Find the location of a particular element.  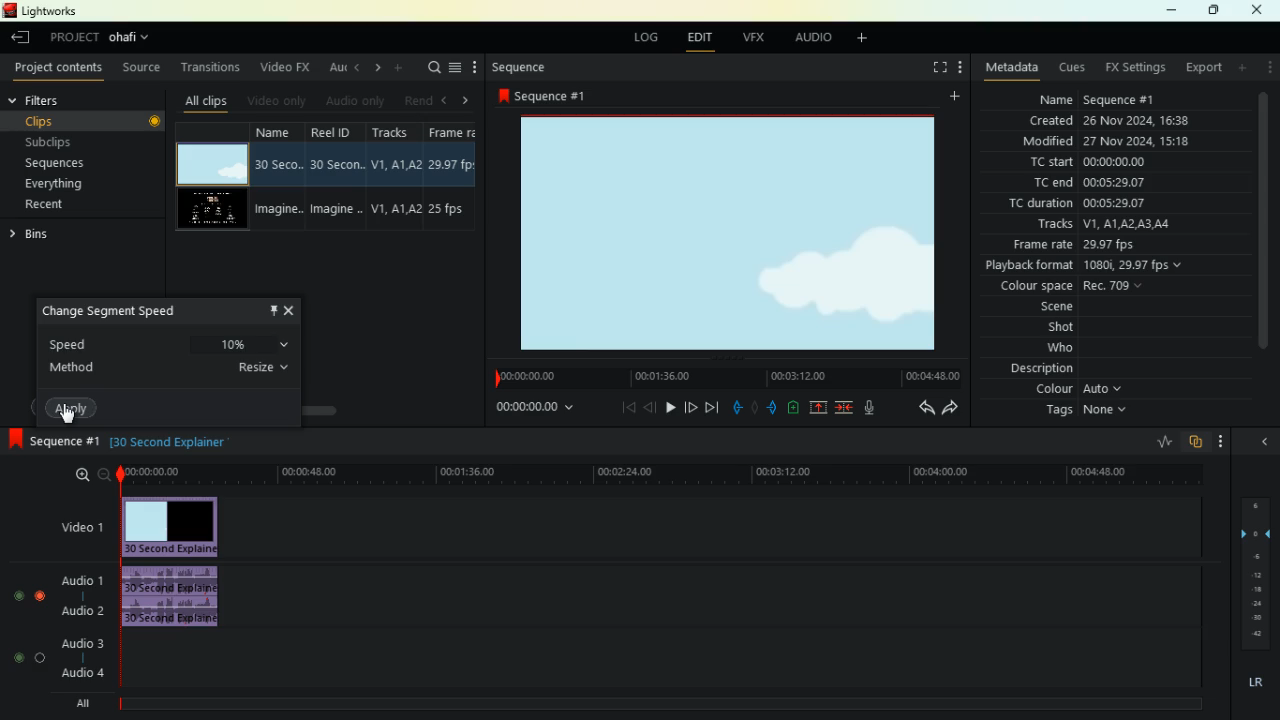

edit is located at coordinates (705, 40).